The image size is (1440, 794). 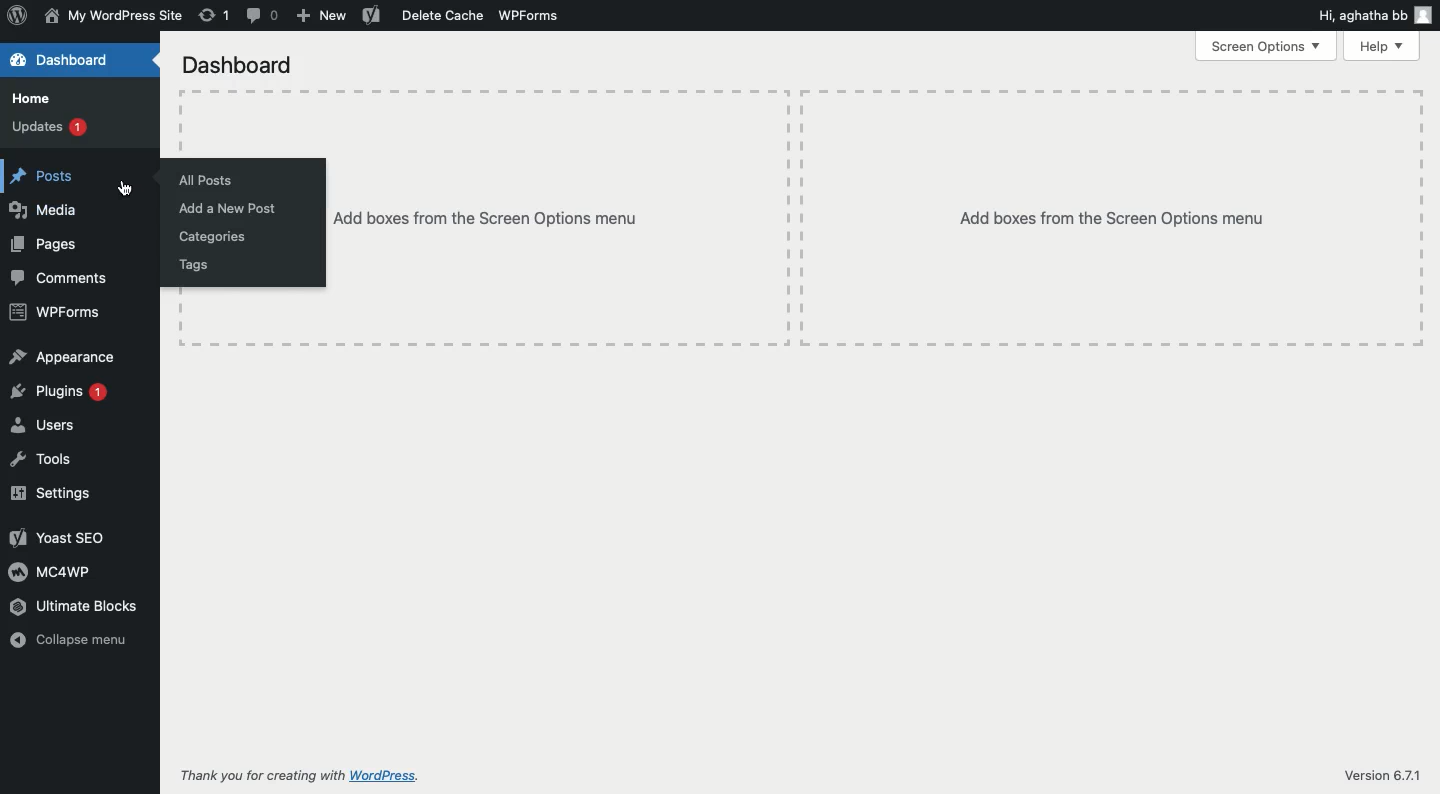 What do you see at coordinates (201, 268) in the screenshot?
I see `Tags` at bounding box center [201, 268].